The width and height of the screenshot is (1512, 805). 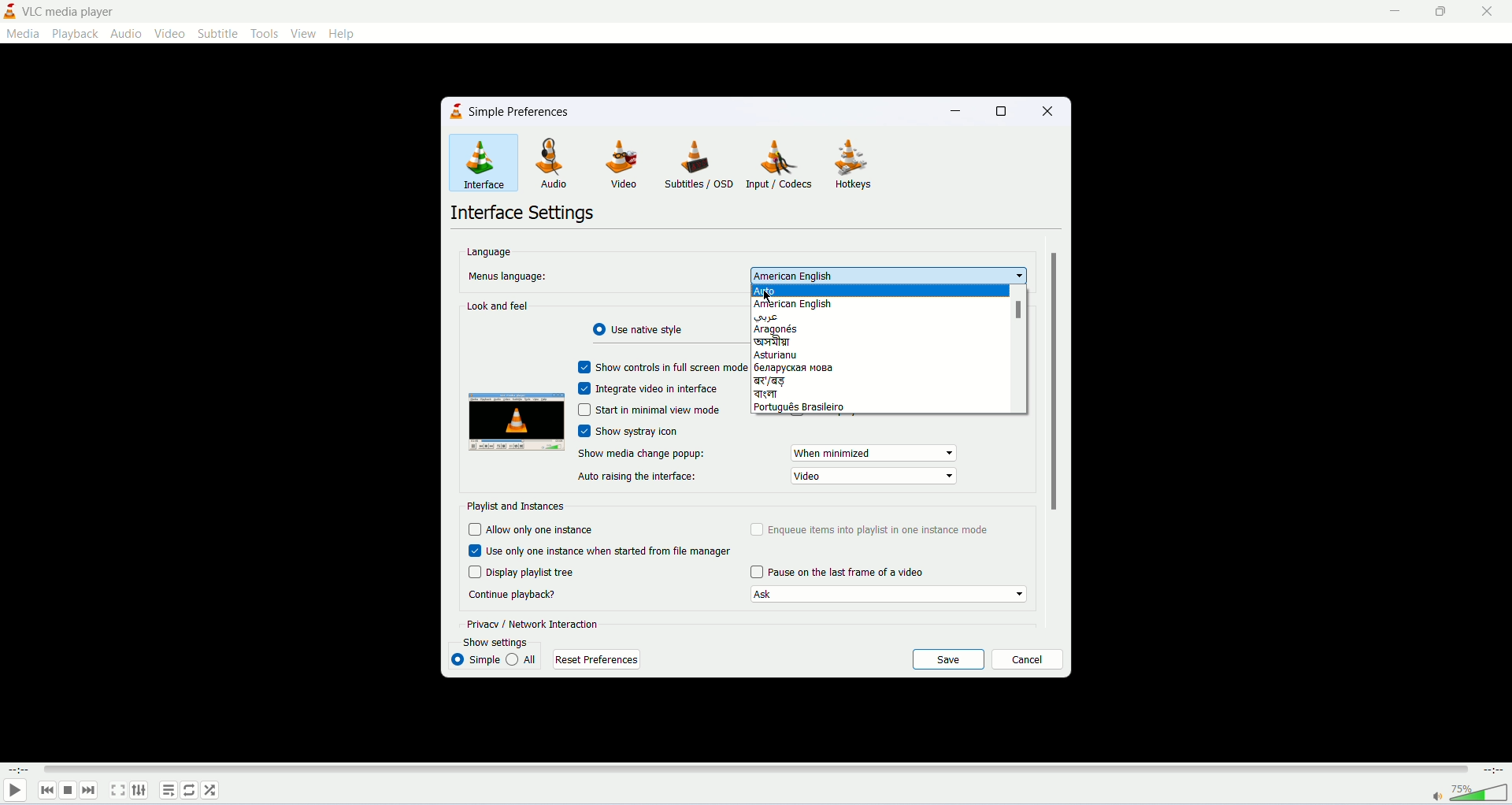 What do you see at coordinates (951, 659) in the screenshot?
I see `save` at bounding box center [951, 659].